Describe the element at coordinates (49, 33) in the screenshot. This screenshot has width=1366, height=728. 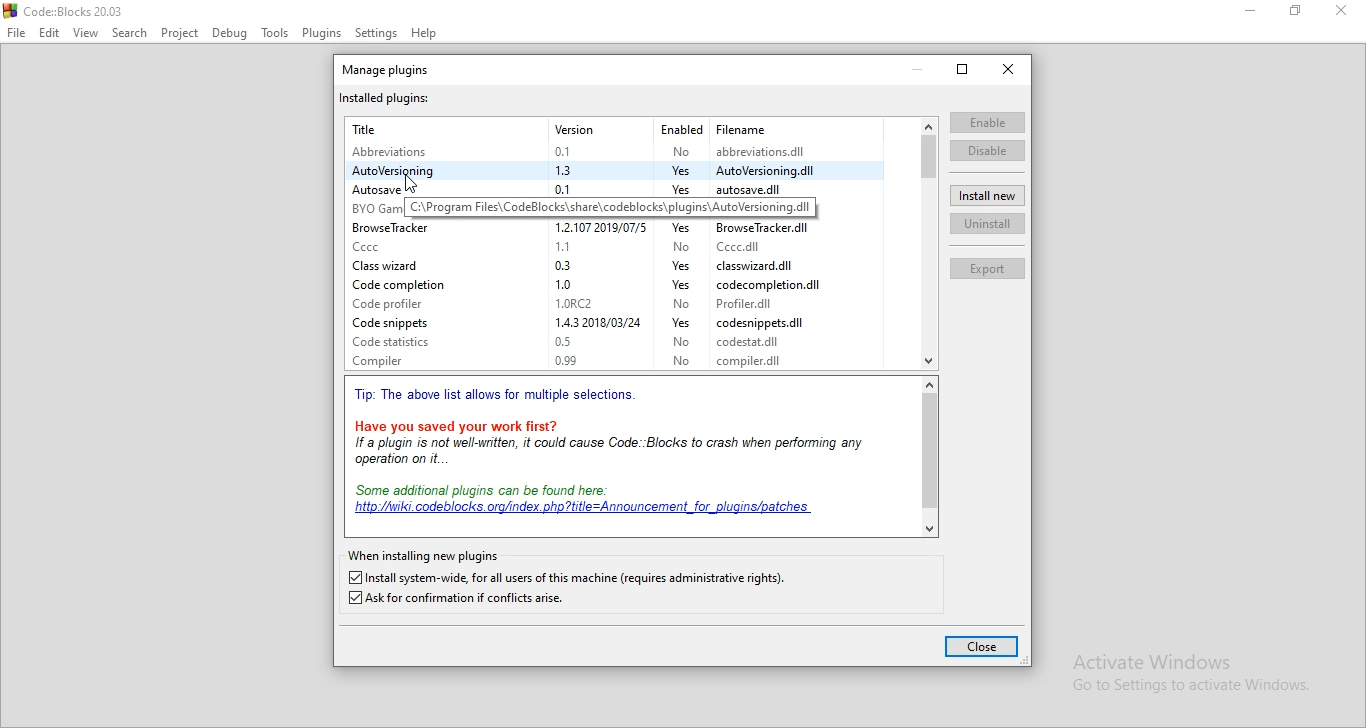
I see `Edit` at that location.